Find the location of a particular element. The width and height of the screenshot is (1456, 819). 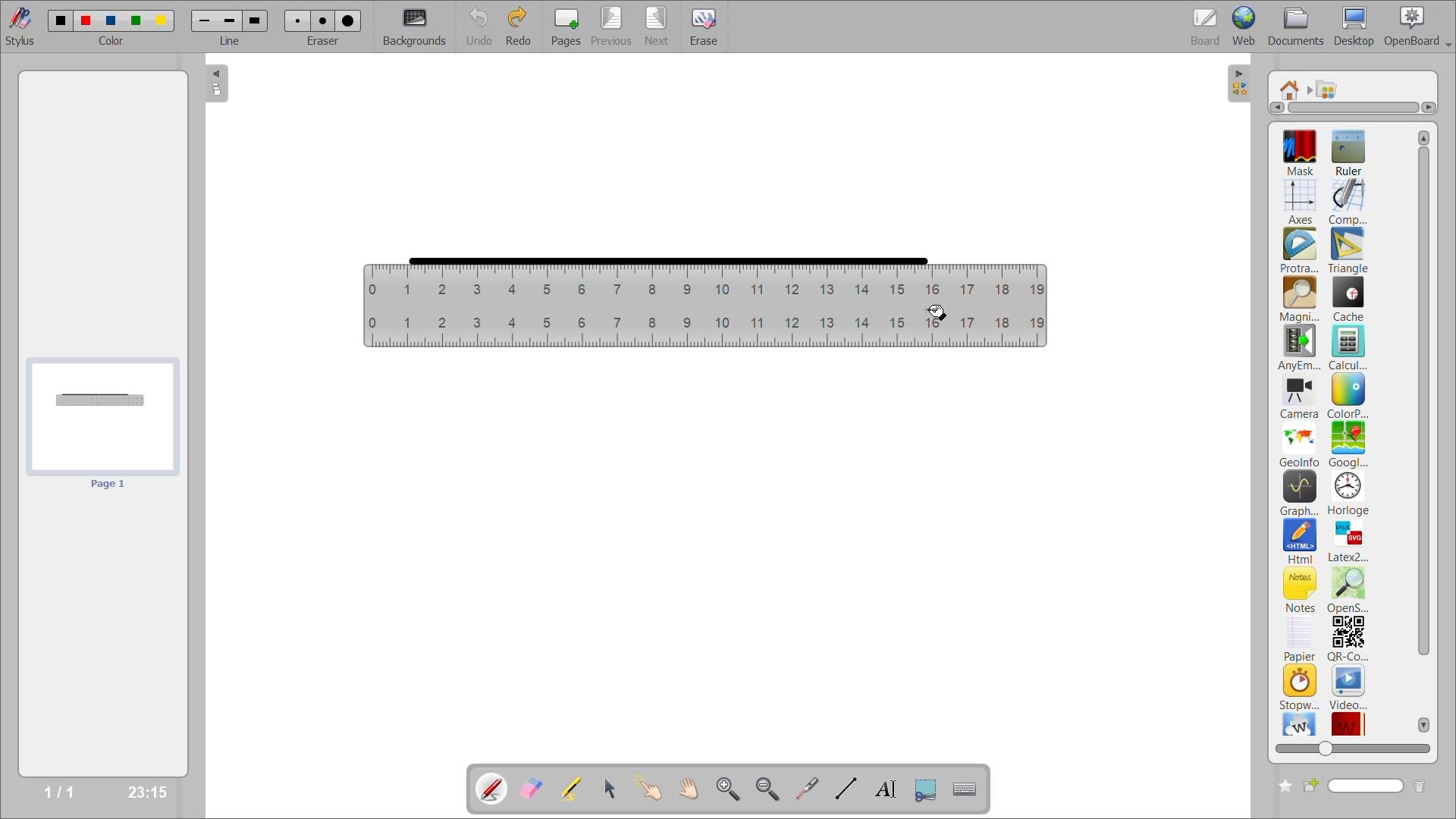

vertical scroll bar is located at coordinates (1424, 431).